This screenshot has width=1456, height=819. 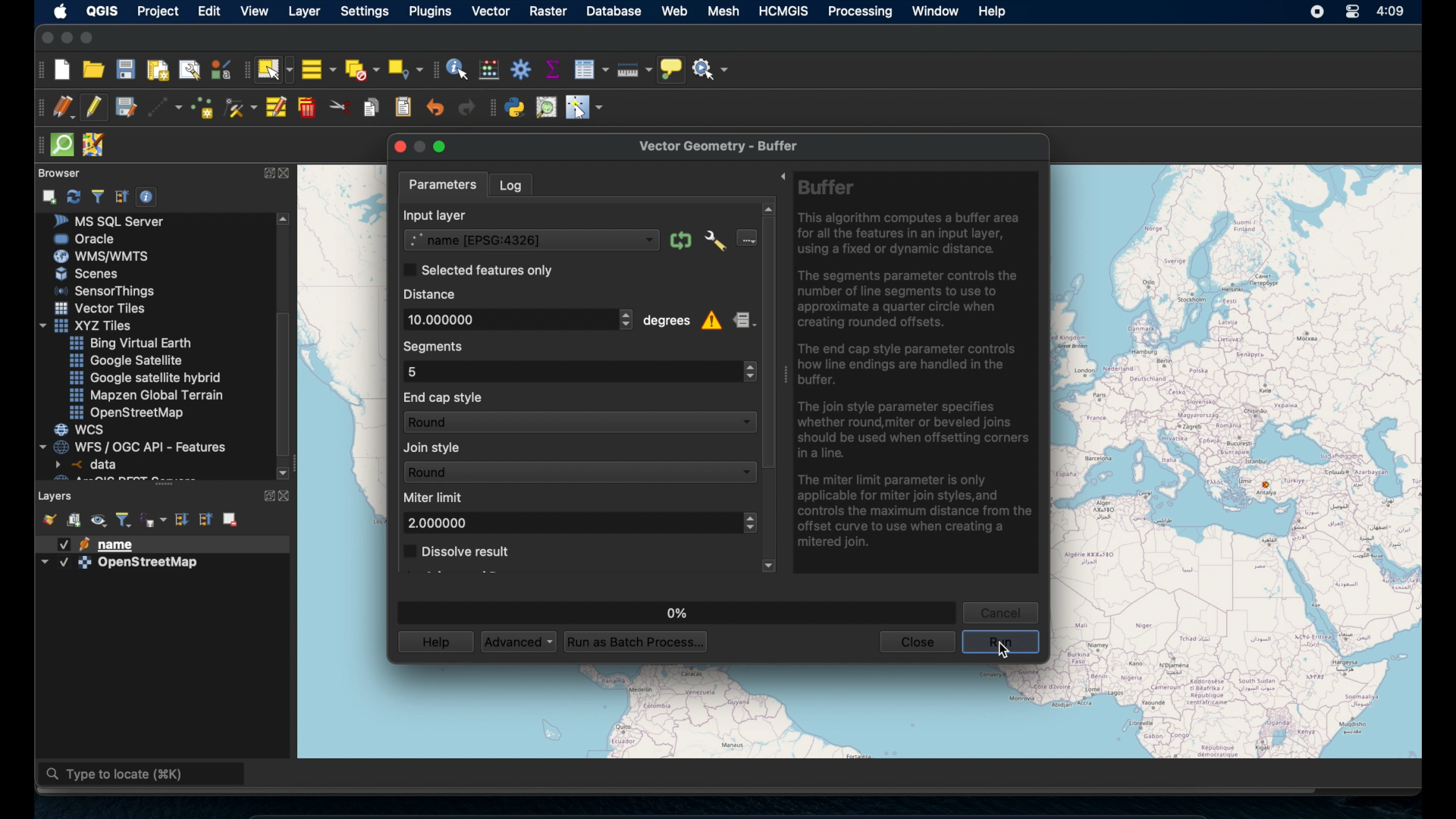 What do you see at coordinates (39, 70) in the screenshot?
I see `project toolbar` at bounding box center [39, 70].